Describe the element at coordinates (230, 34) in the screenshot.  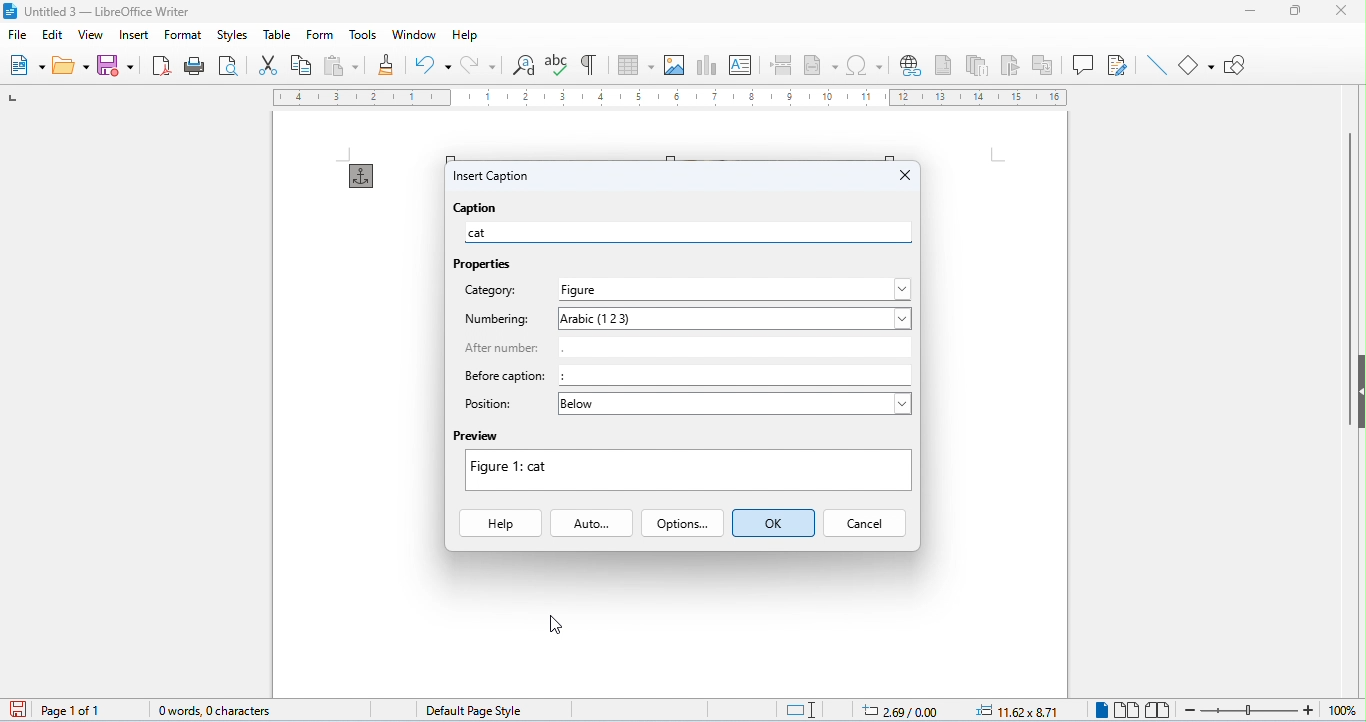
I see `styles` at that location.